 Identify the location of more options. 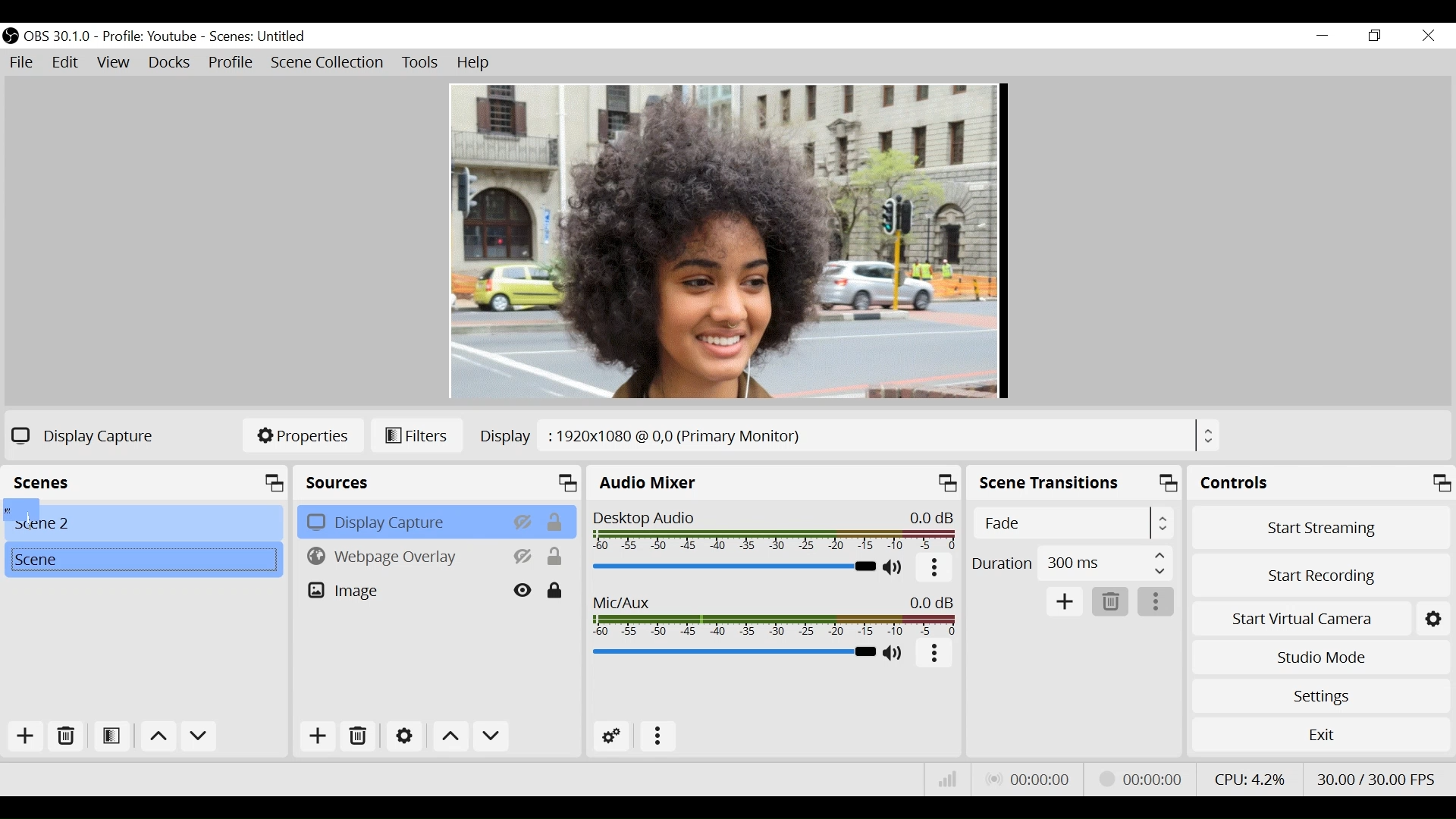
(654, 735).